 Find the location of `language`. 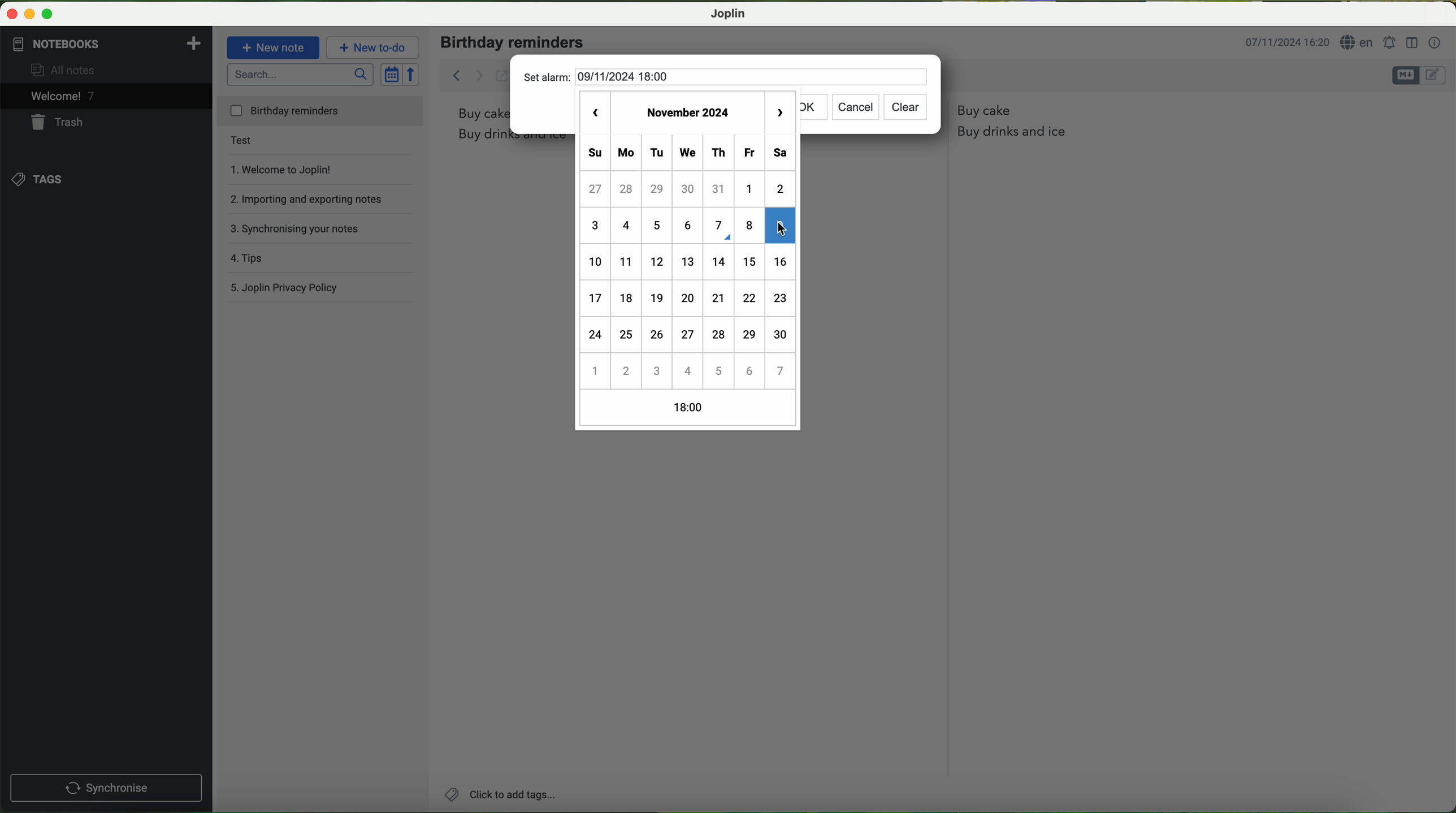

language is located at coordinates (1359, 44).